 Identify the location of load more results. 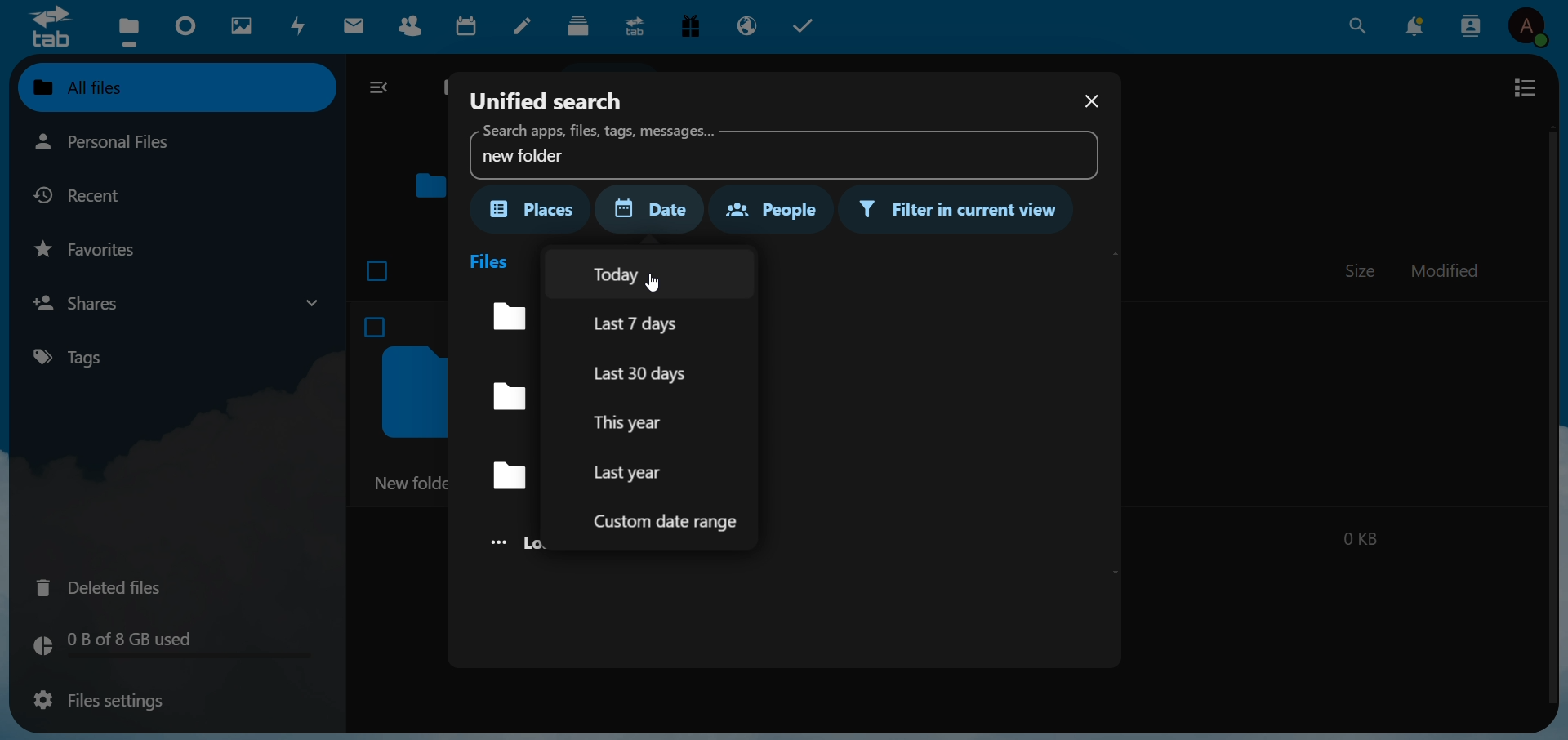
(508, 543).